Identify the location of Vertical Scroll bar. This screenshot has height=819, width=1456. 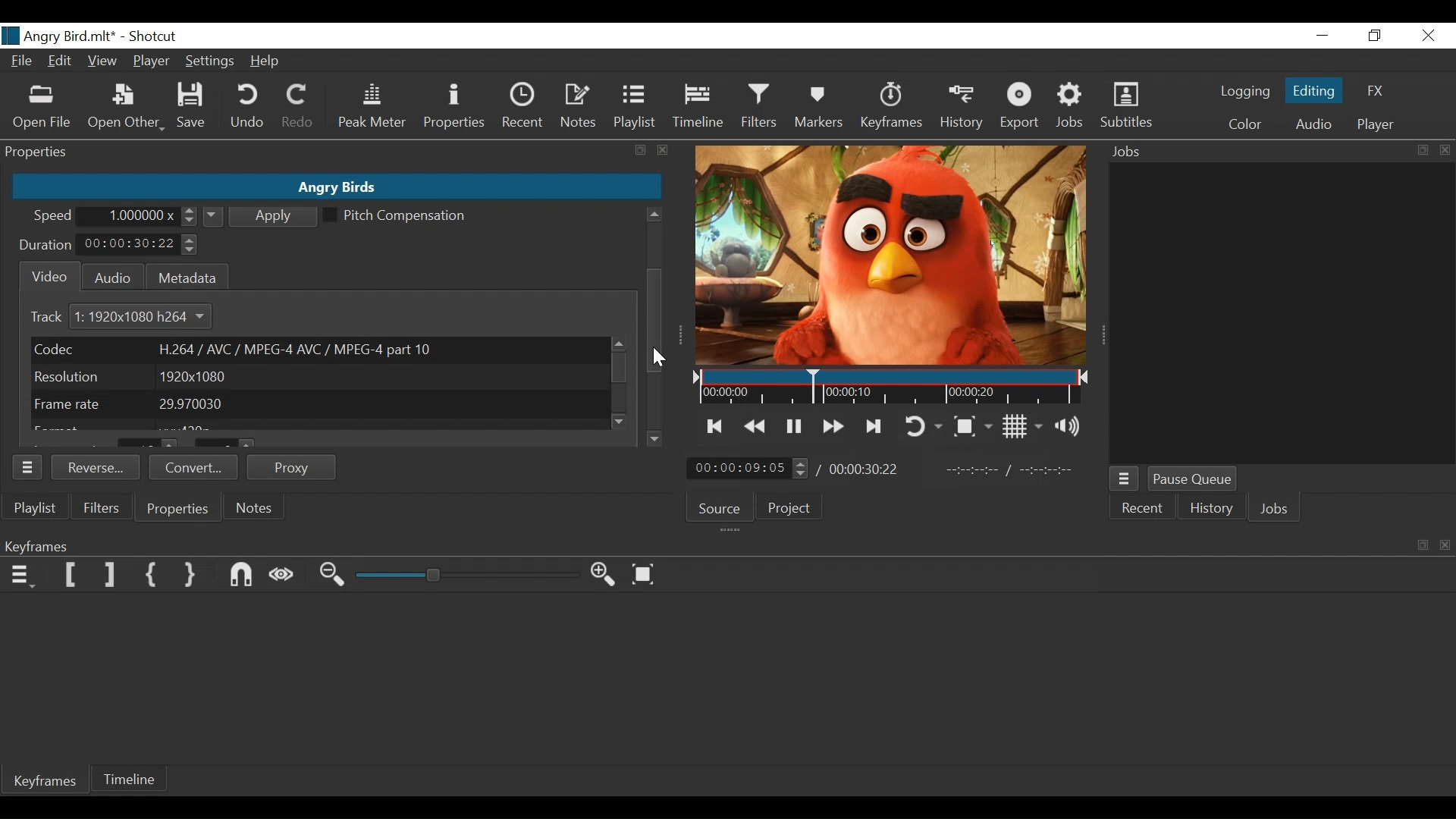
(654, 322).